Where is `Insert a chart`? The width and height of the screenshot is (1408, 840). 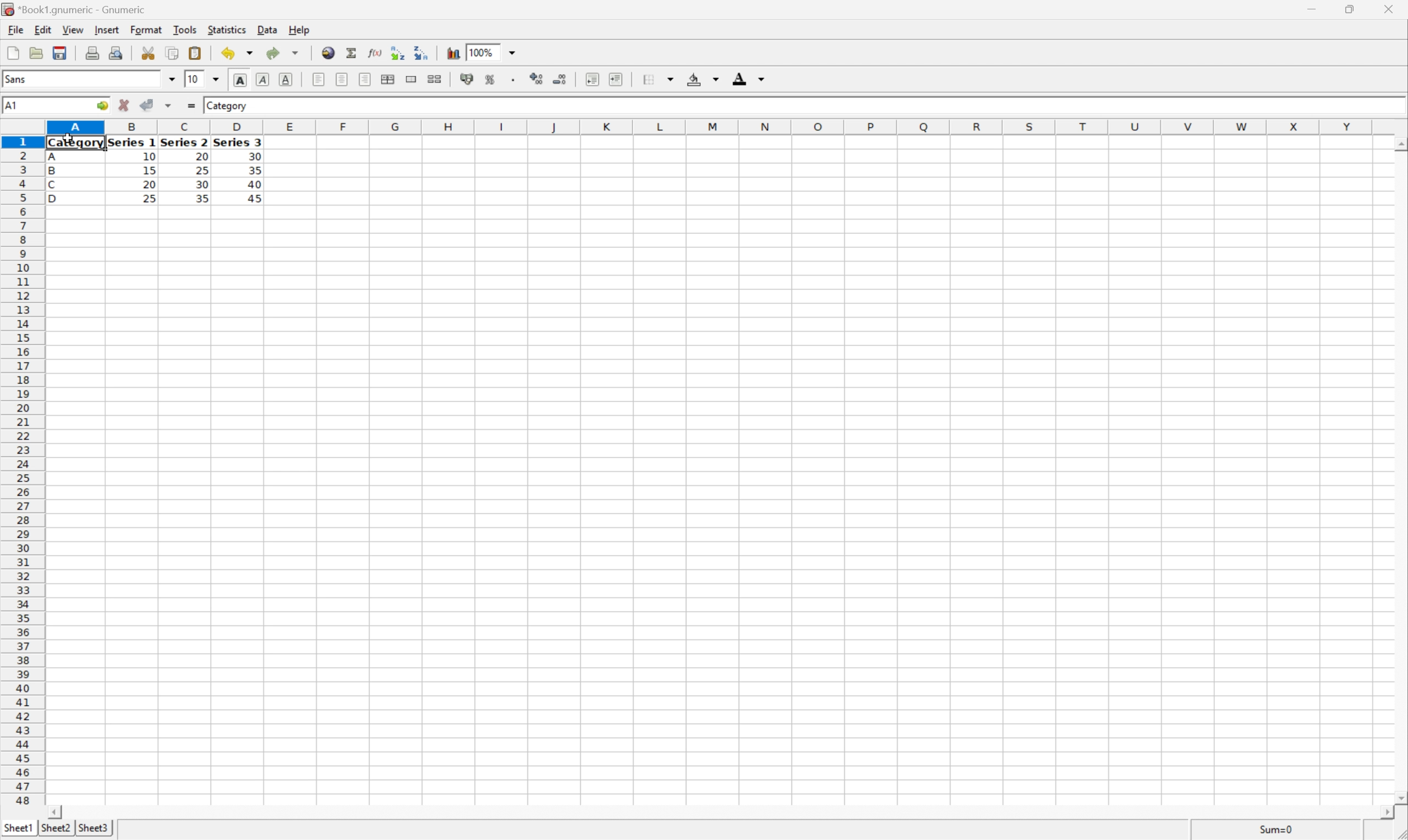
Insert a chart is located at coordinates (452, 53).